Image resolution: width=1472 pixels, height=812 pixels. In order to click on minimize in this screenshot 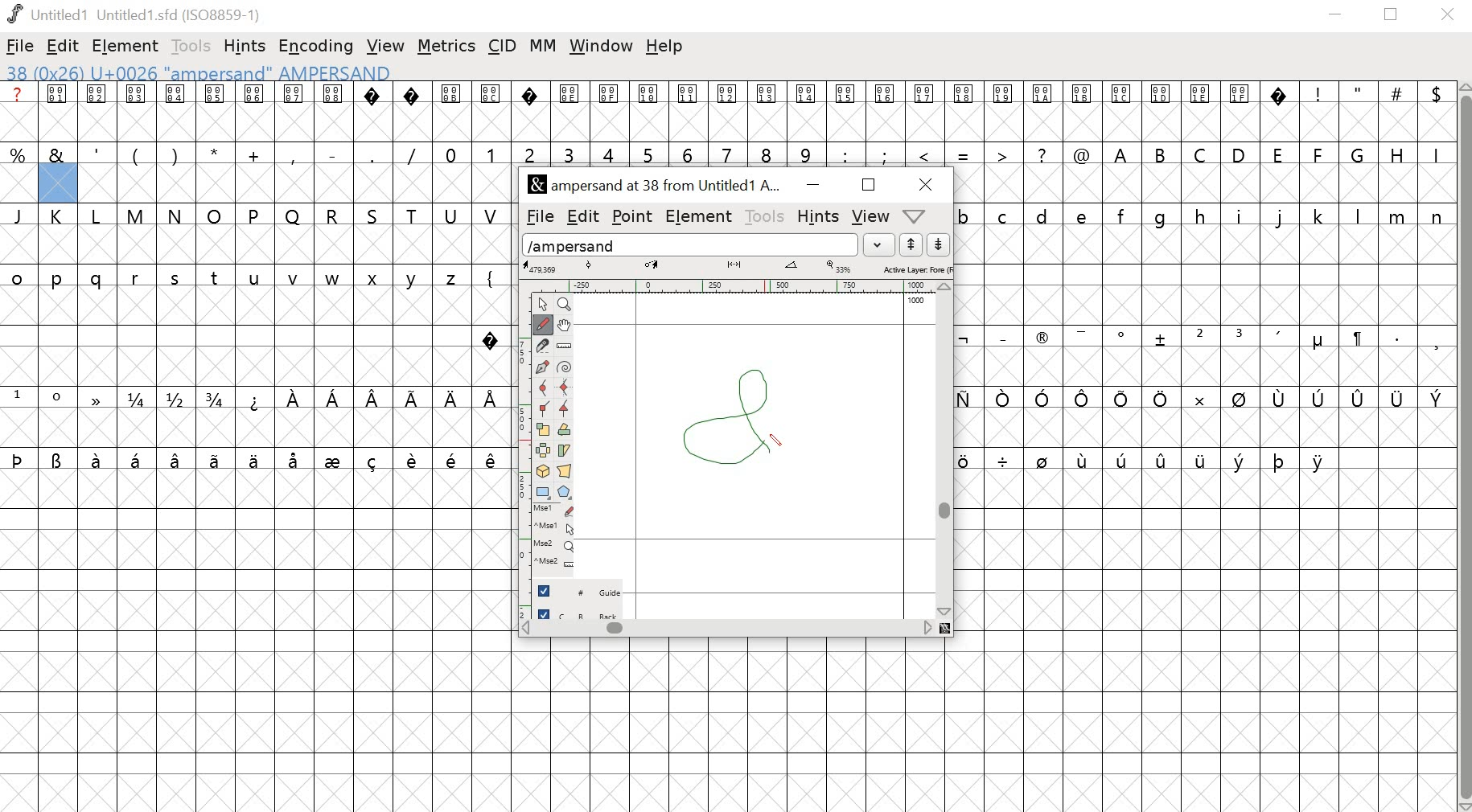, I will do `click(811, 186)`.